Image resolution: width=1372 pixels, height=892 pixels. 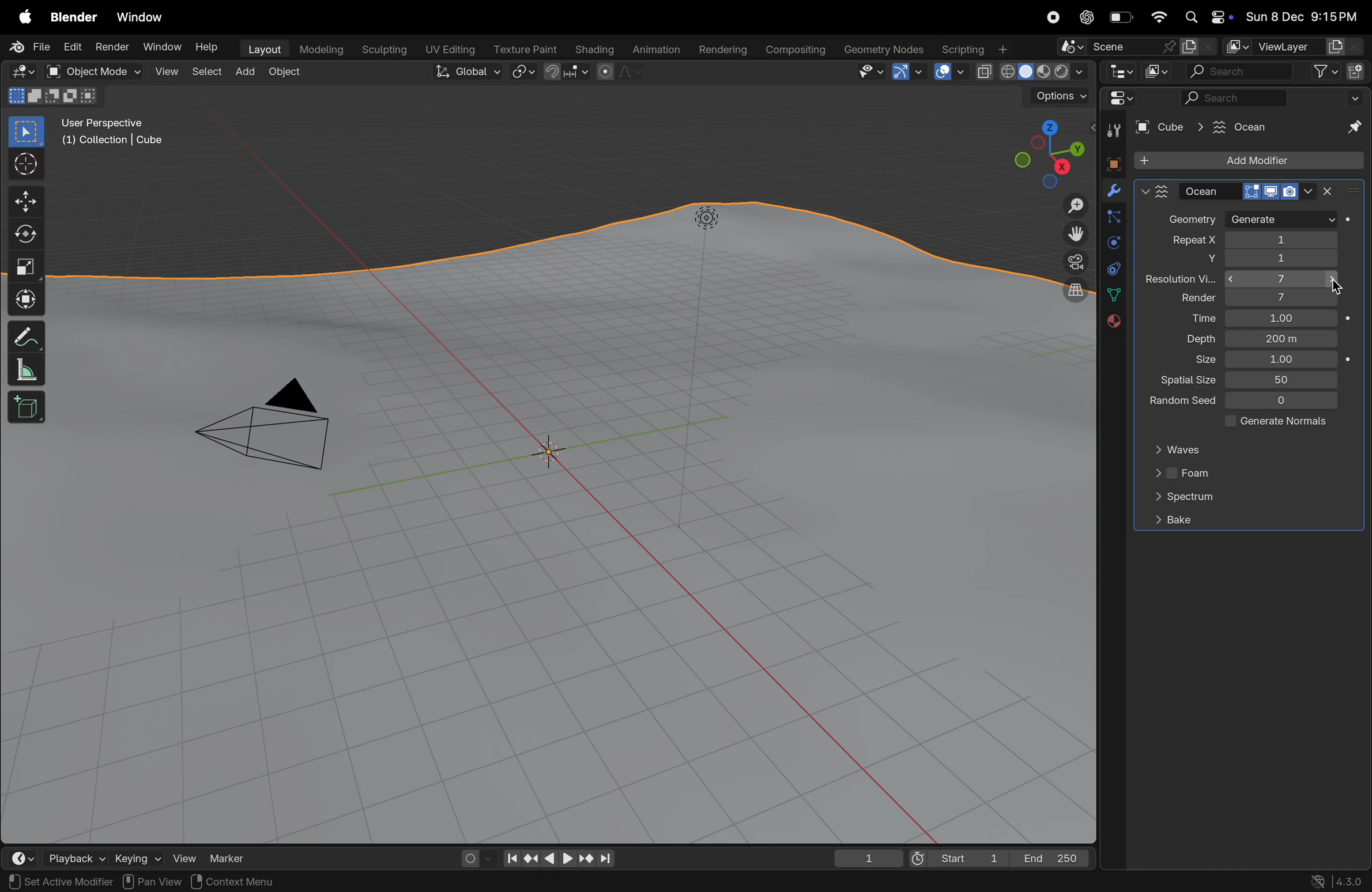 What do you see at coordinates (209, 71) in the screenshot?
I see `select` at bounding box center [209, 71].